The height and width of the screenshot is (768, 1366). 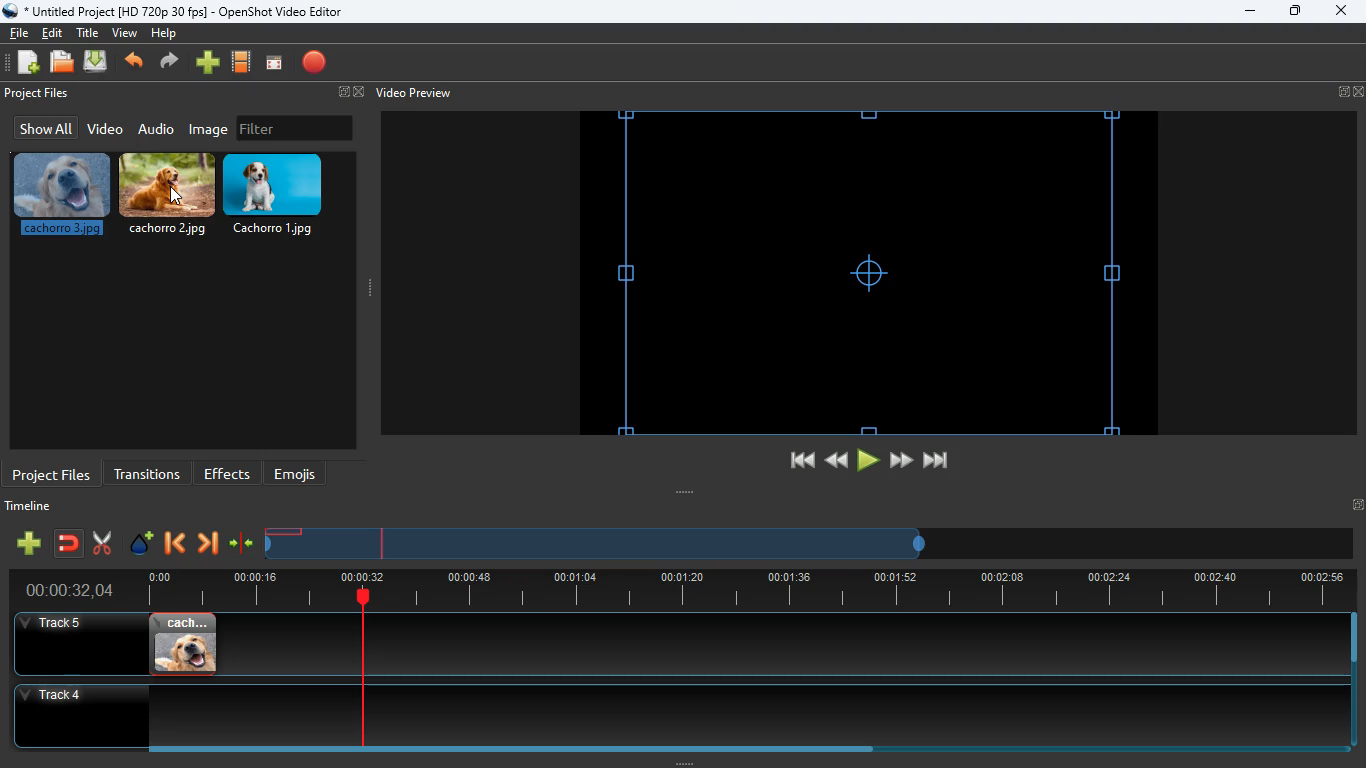 I want to click on record, so click(x=316, y=64).